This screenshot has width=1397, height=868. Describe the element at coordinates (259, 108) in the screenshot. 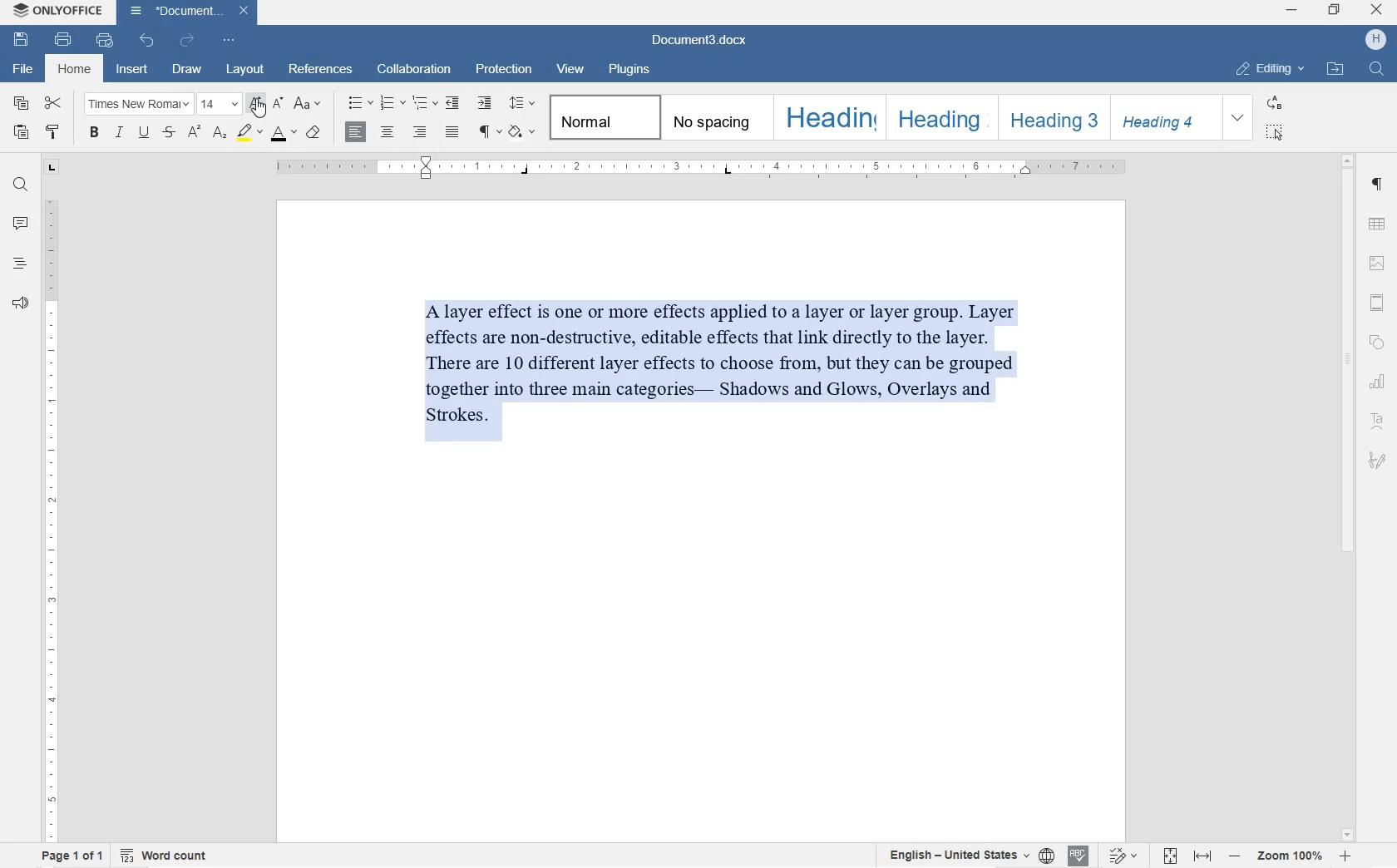

I see `CURSOR` at that location.